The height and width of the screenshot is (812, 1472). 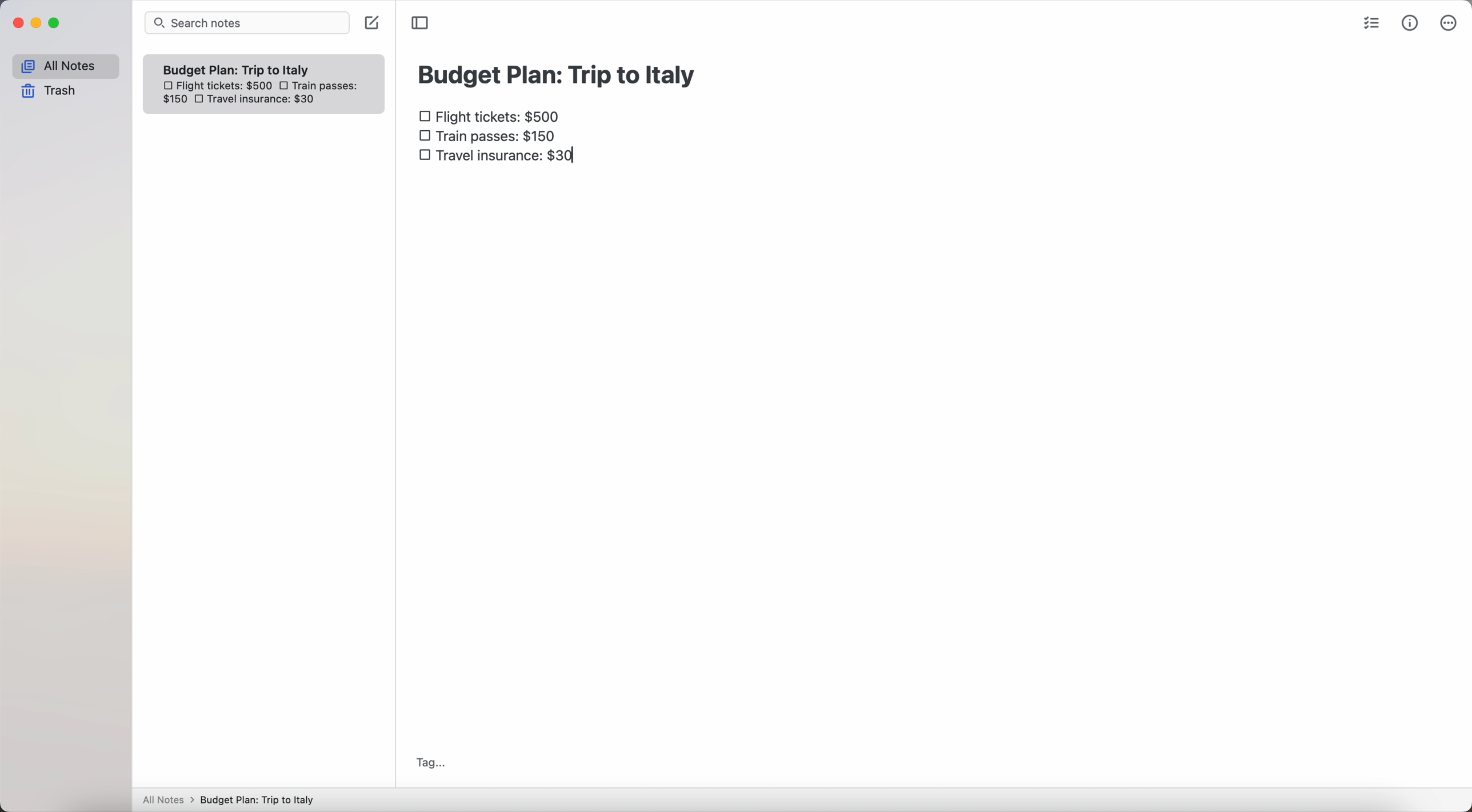 What do you see at coordinates (286, 86) in the screenshot?
I see `checkbox` at bounding box center [286, 86].